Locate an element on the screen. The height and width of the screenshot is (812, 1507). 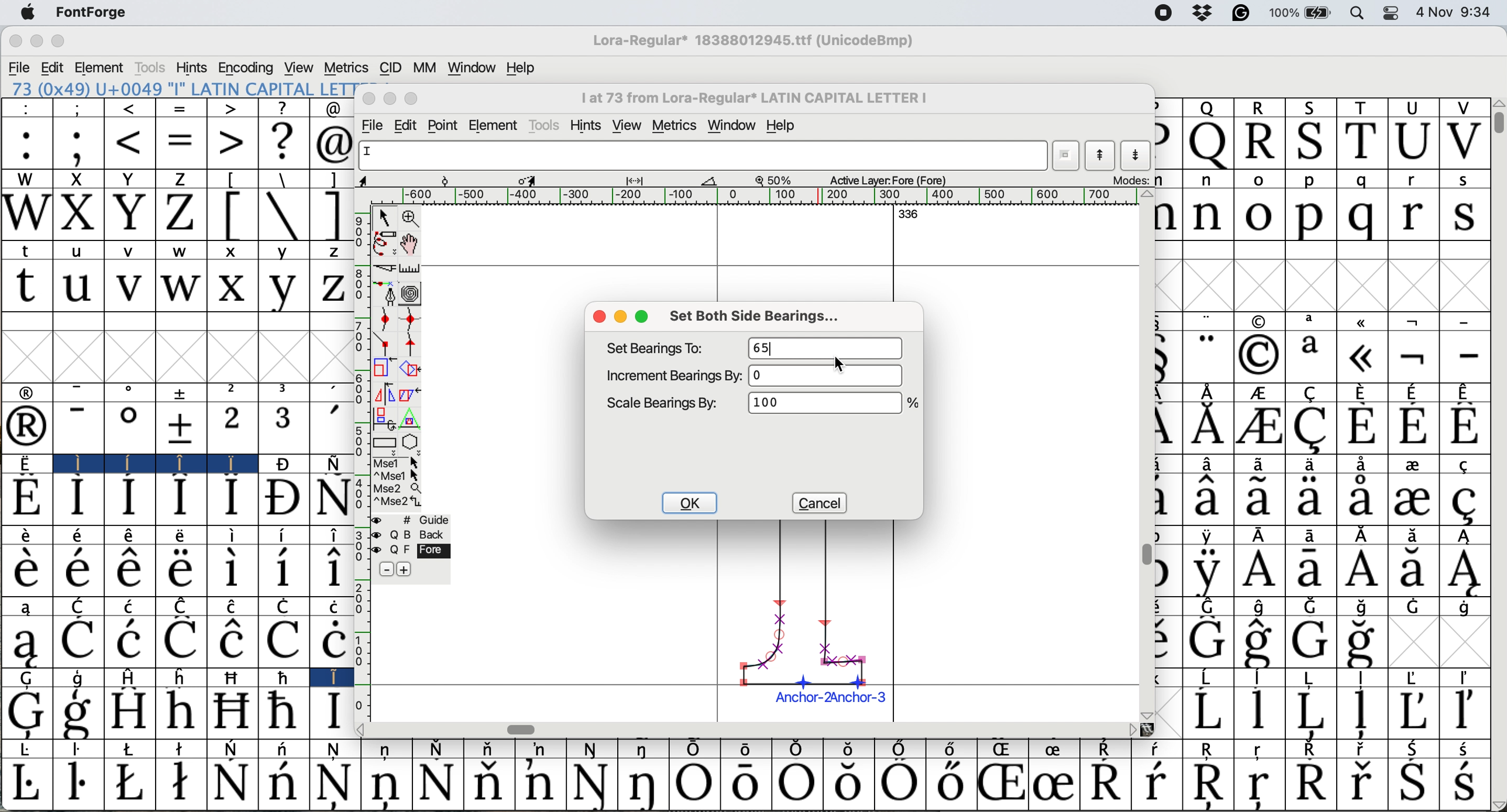
hints is located at coordinates (193, 68).